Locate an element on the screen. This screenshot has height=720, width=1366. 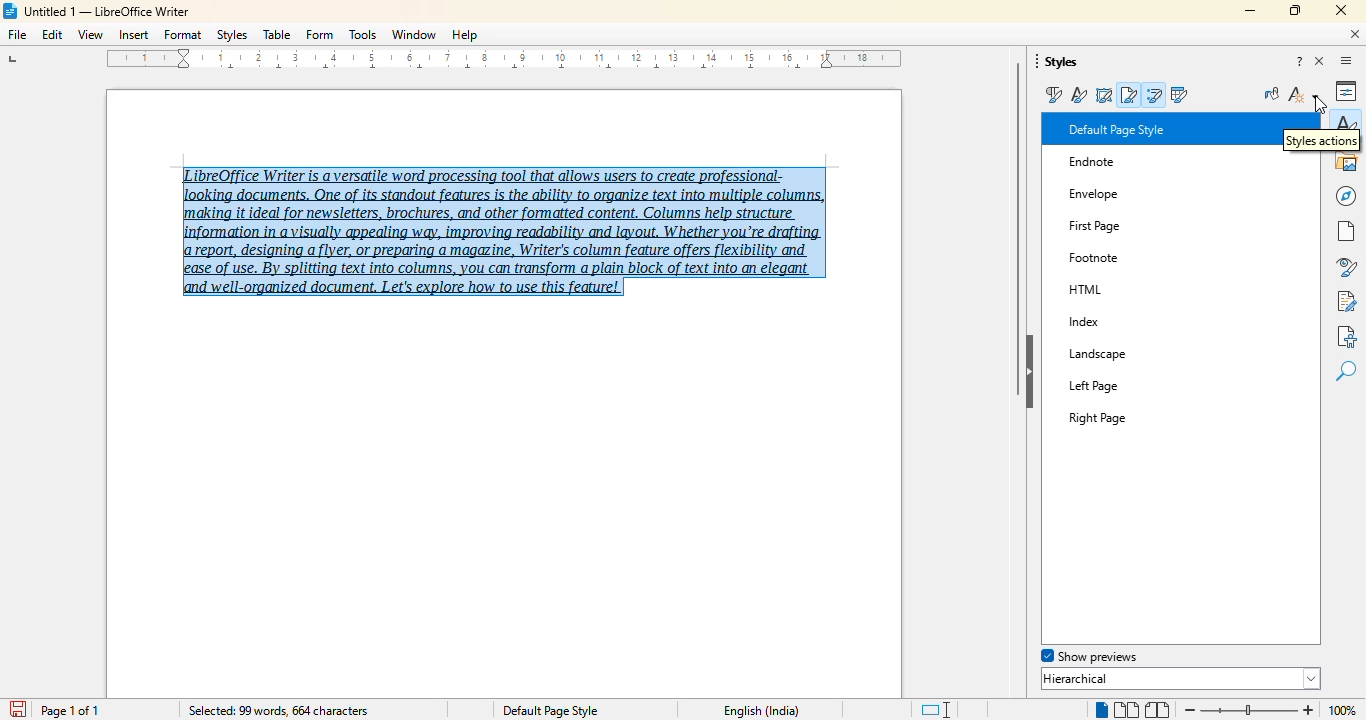
Default page style is located at coordinates (550, 710).